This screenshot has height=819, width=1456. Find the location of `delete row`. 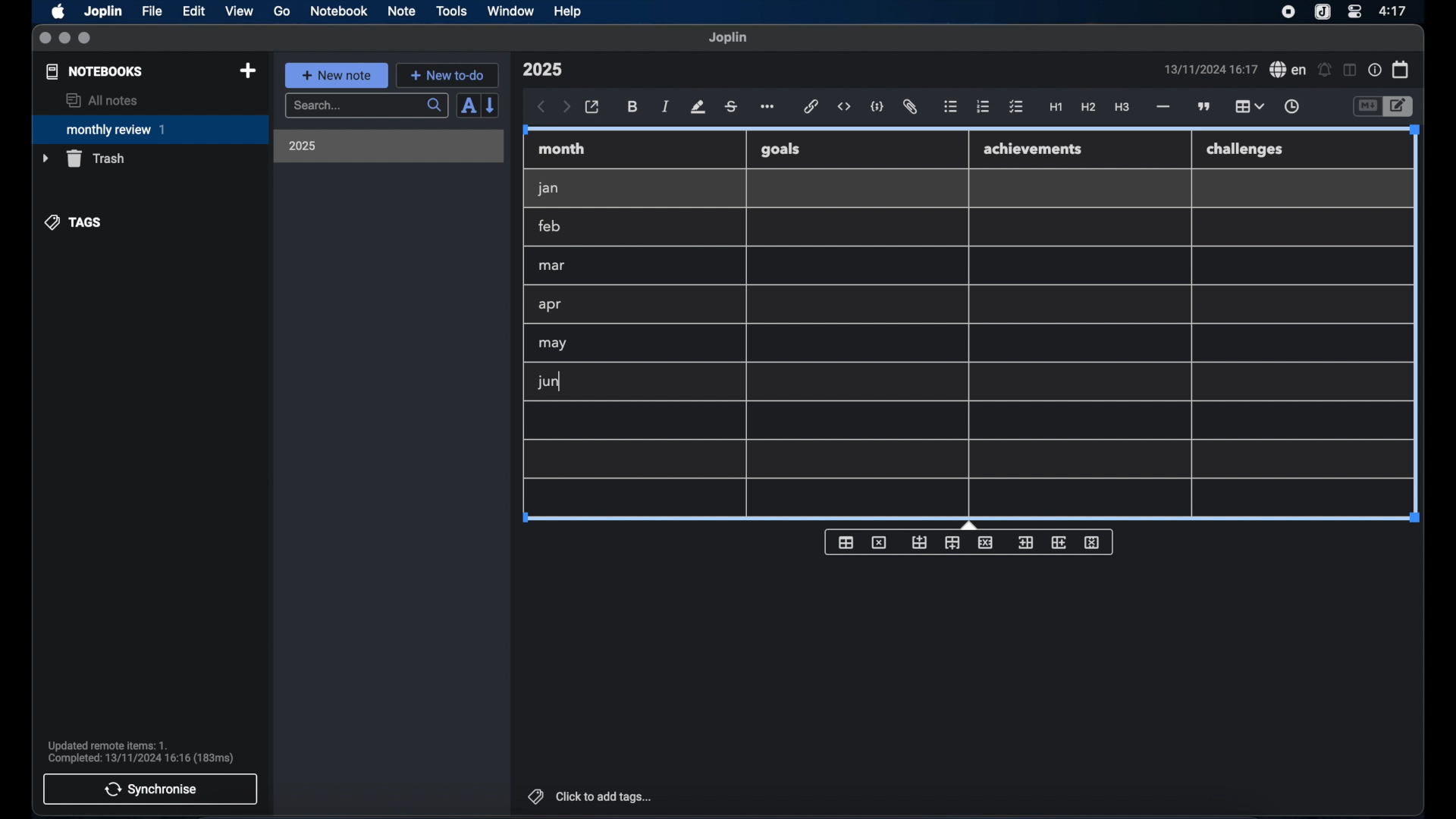

delete row is located at coordinates (987, 541).